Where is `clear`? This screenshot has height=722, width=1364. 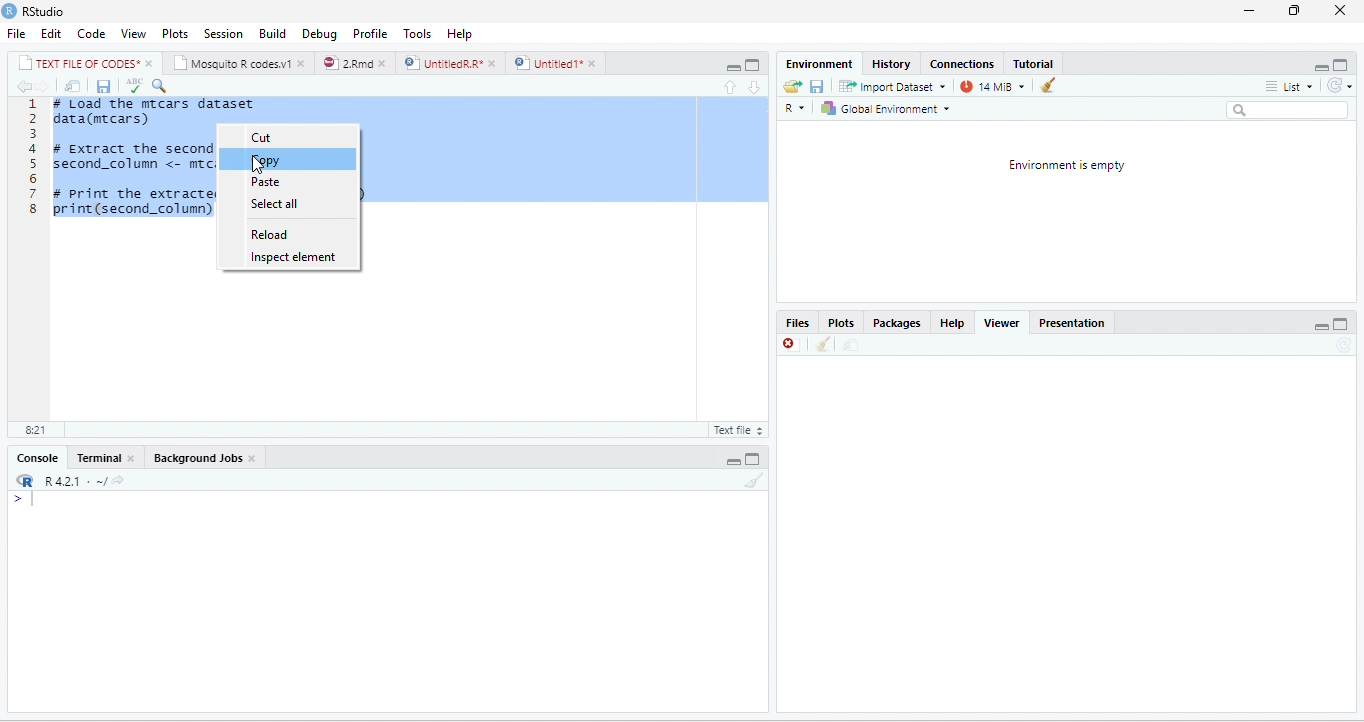 clear is located at coordinates (1047, 85).